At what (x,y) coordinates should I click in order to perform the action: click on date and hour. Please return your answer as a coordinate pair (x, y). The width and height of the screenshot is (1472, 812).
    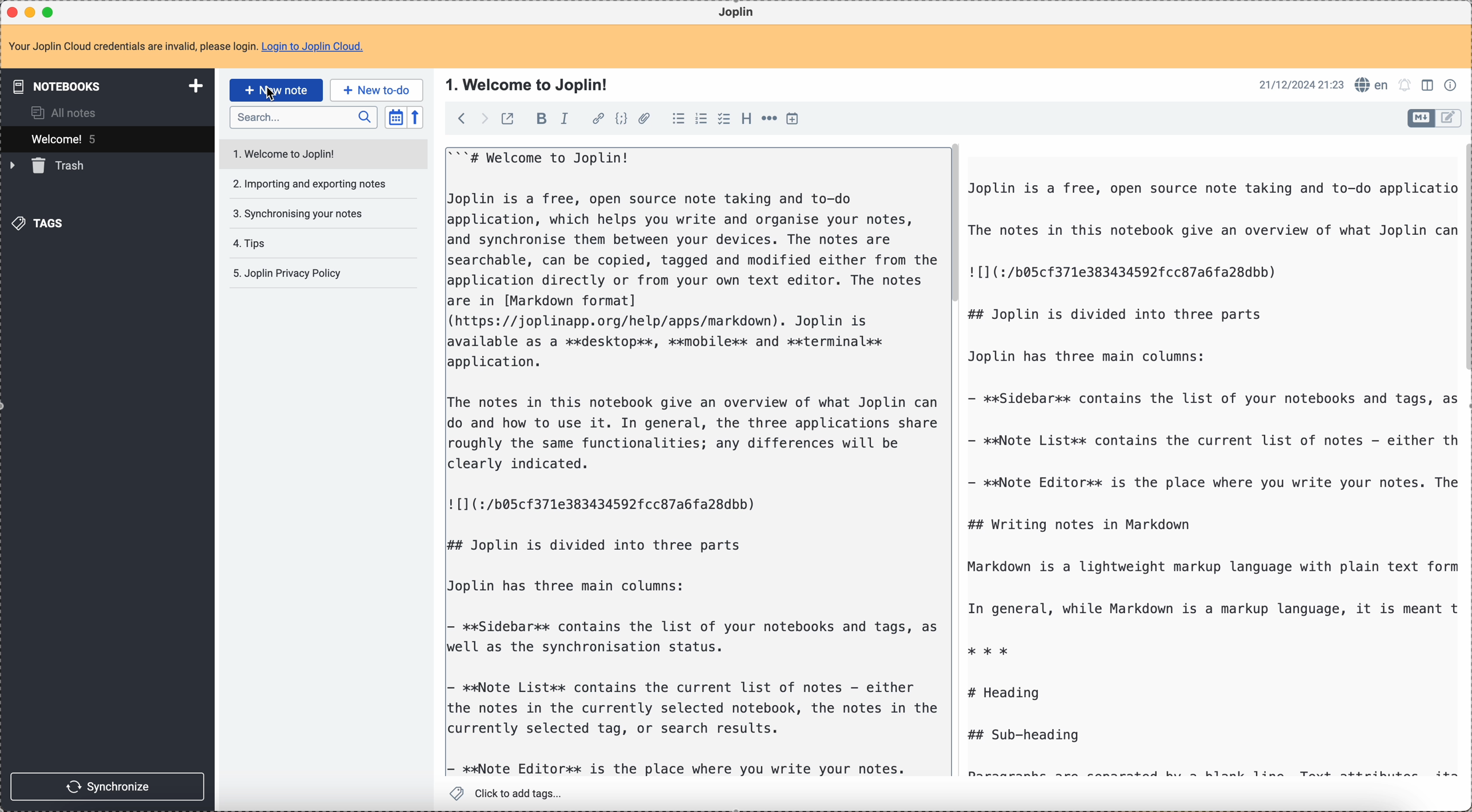
    Looking at the image, I should click on (1299, 85).